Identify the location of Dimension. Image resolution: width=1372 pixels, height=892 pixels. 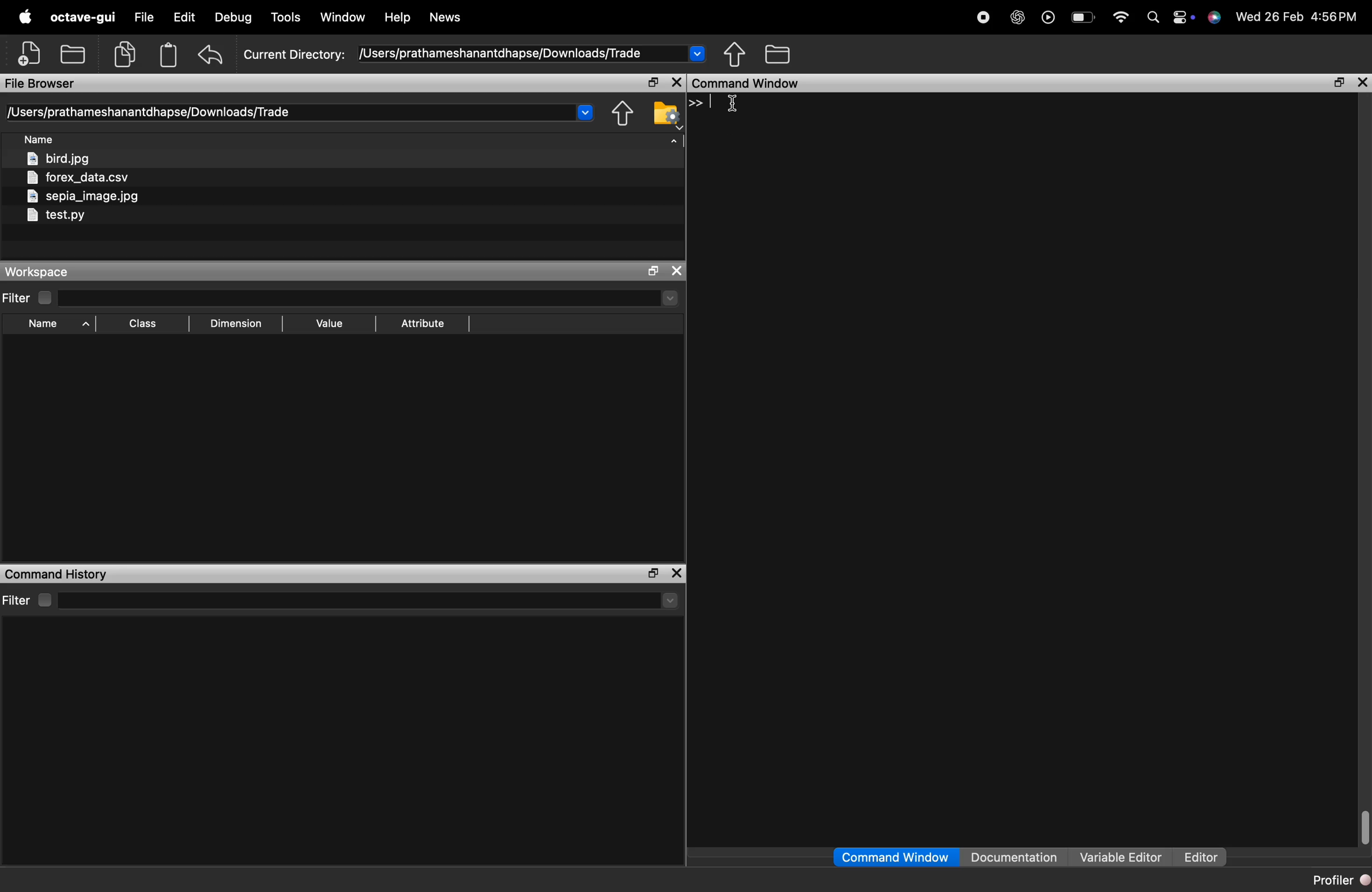
(237, 323).